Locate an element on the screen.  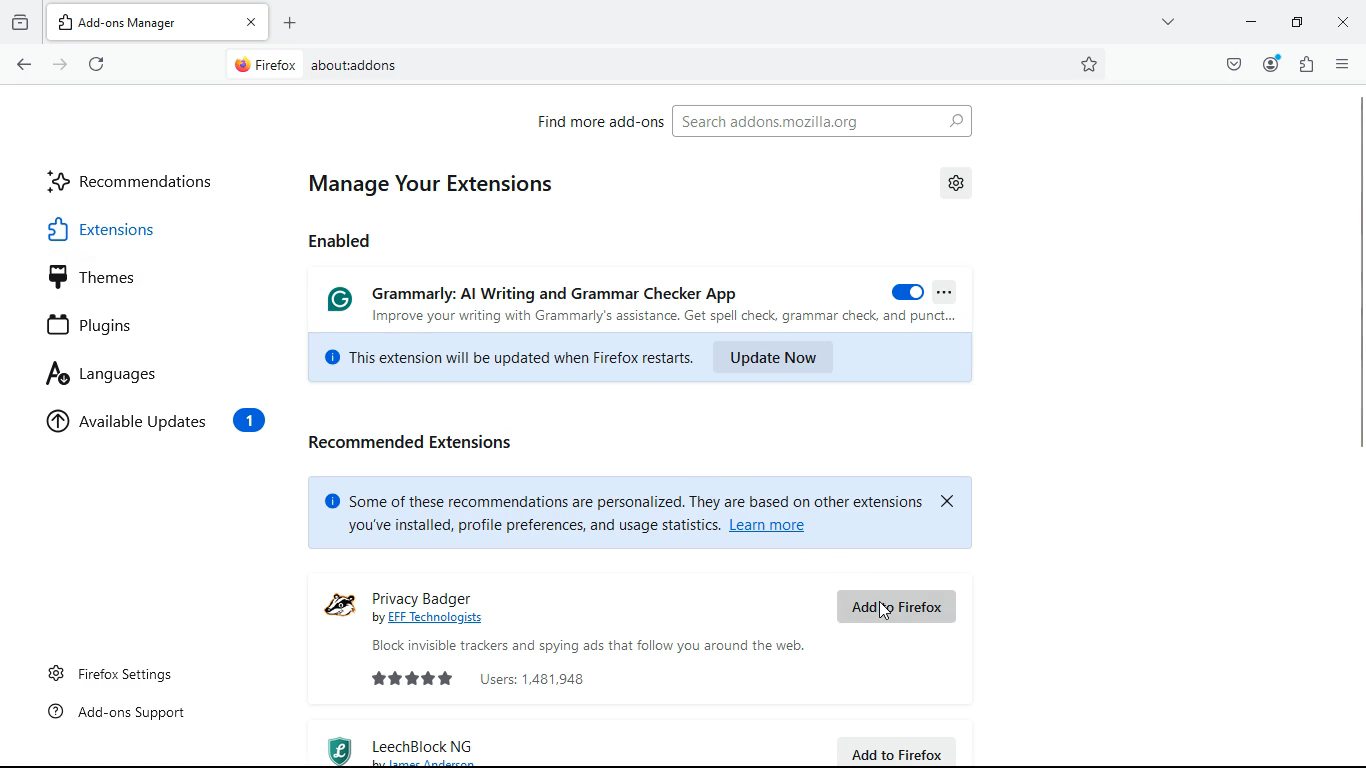
settings is located at coordinates (958, 183).